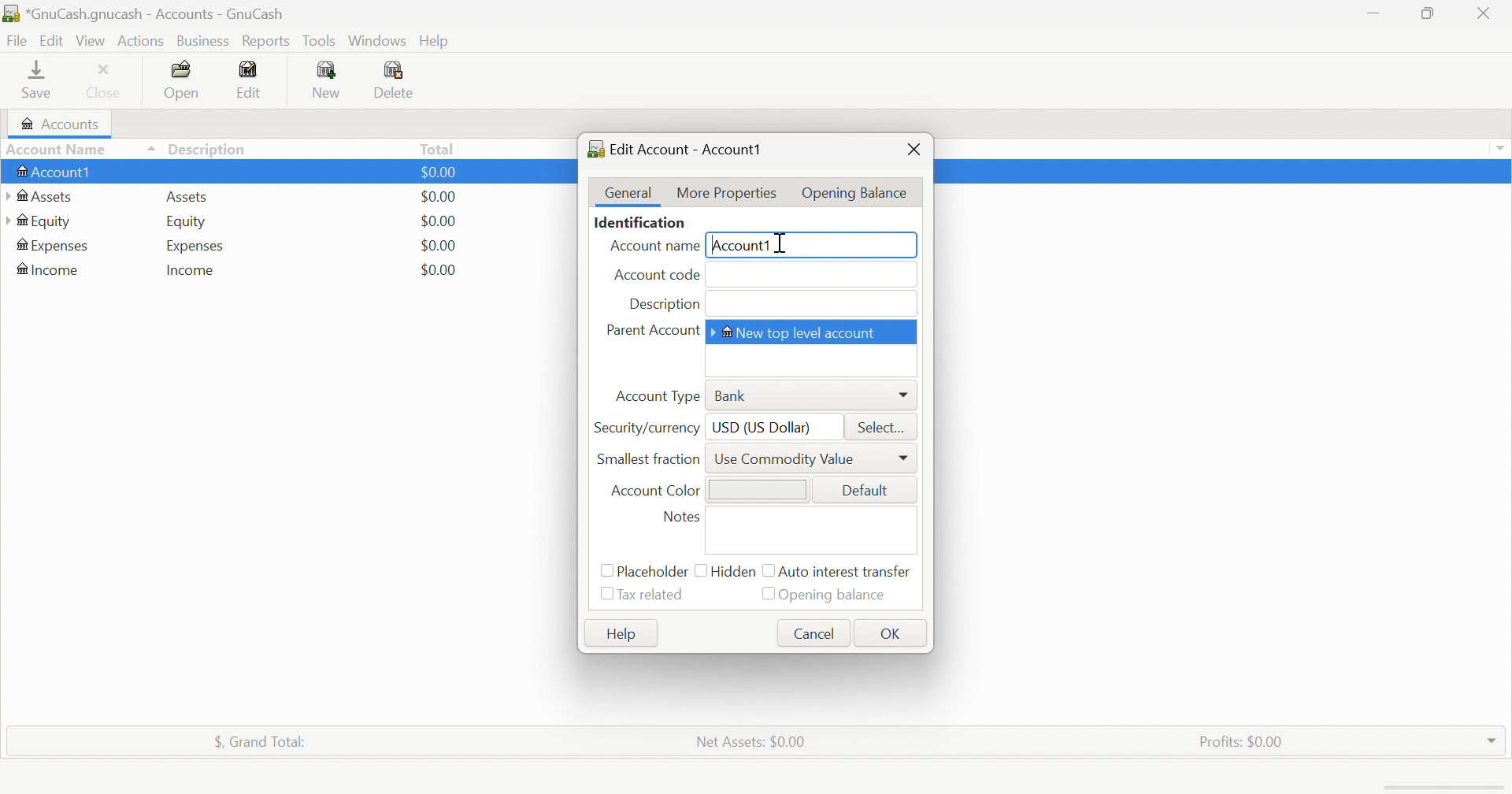 This screenshot has height=794, width=1512. I want to click on Tools, so click(319, 42).